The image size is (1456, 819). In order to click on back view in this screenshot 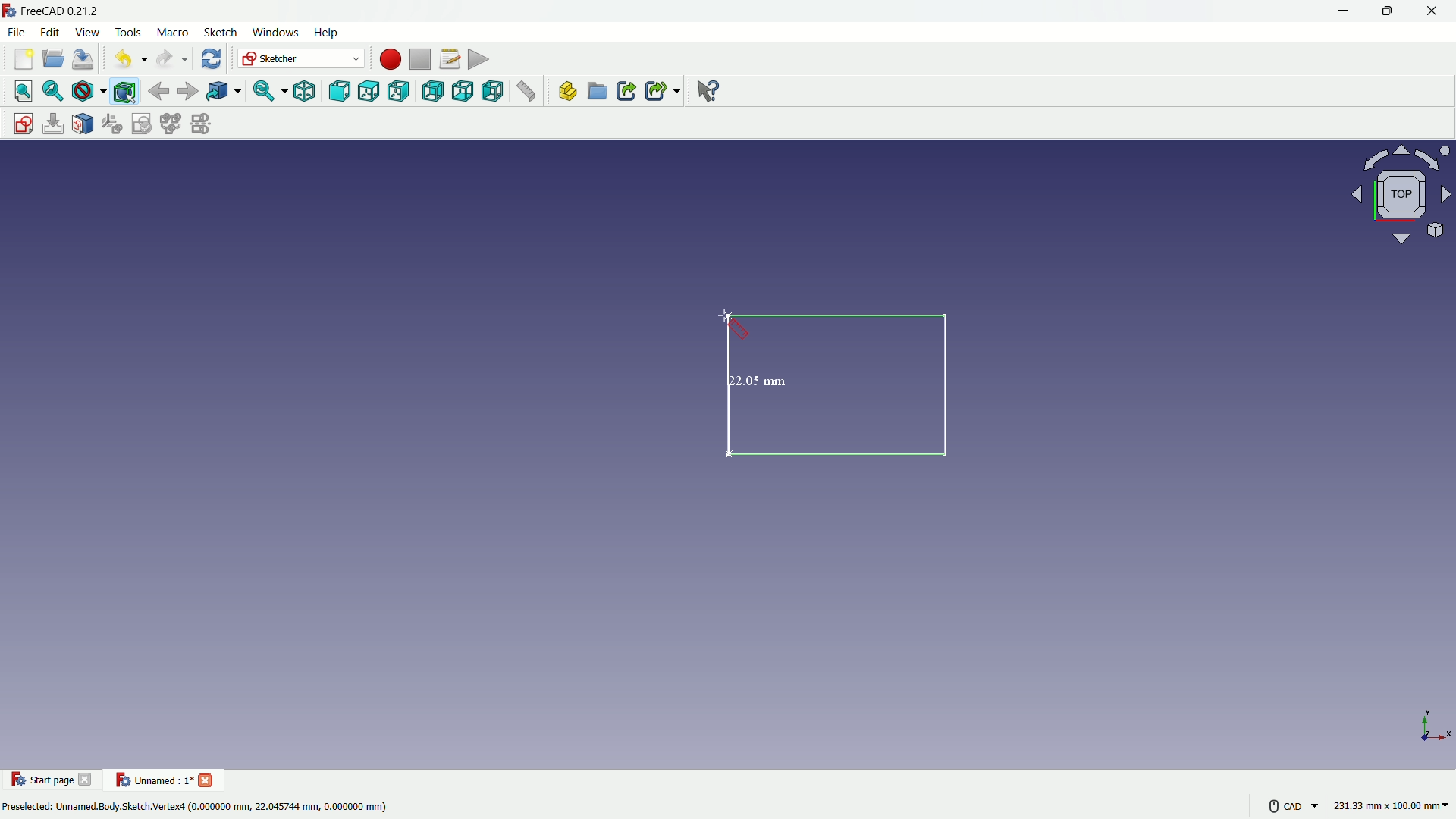, I will do `click(432, 91)`.